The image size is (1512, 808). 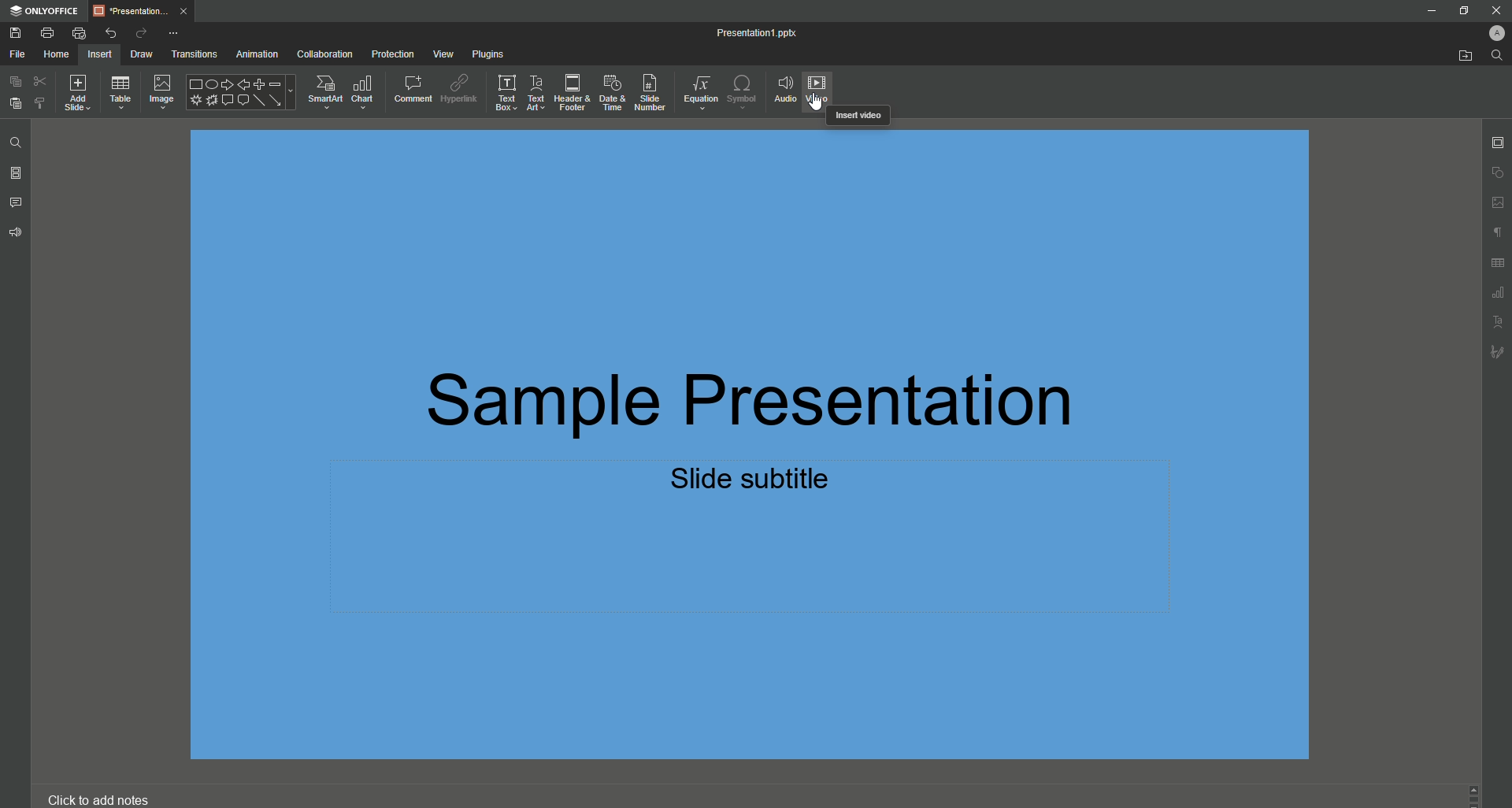 What do you see at coordinates (321, 91) in the screenshot?
I see `SmartArt` at bounding box center [321, 91].